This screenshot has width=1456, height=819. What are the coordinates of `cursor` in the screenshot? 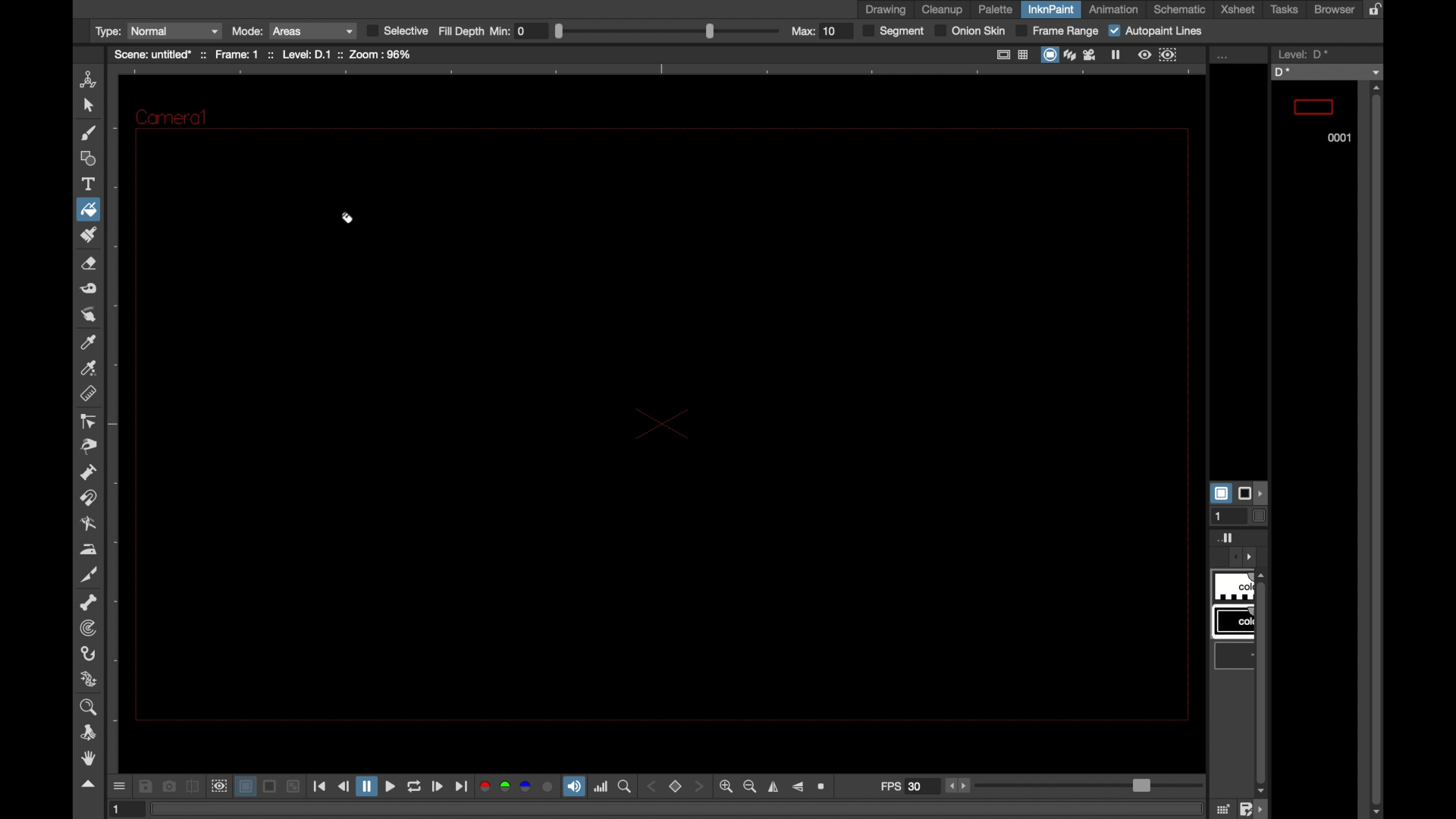 It's located at (93, 222).